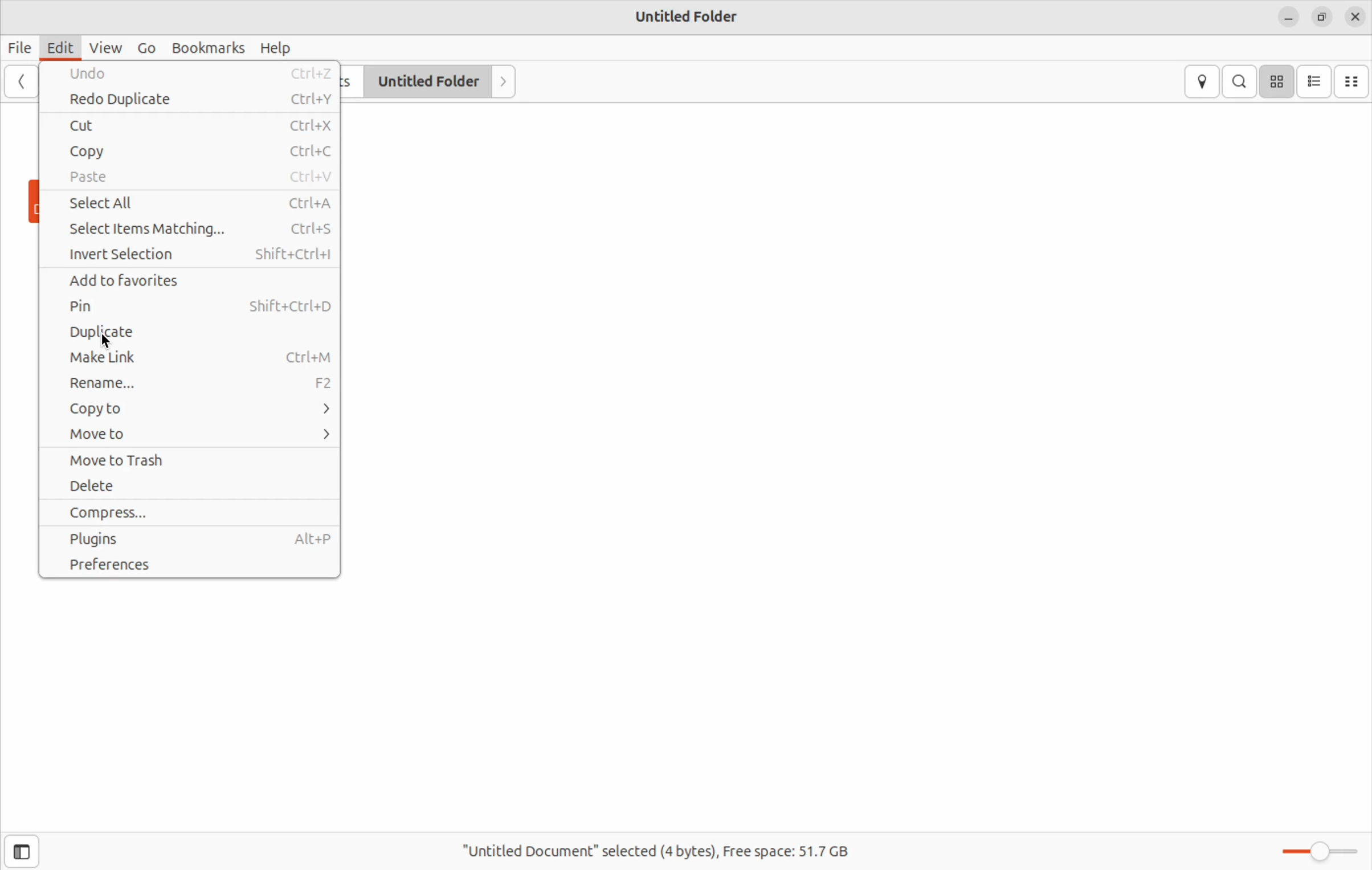  What do you see at coordinates (187, 178) in the screenshot?
I see `Paste` at bounding box center [187, 178].